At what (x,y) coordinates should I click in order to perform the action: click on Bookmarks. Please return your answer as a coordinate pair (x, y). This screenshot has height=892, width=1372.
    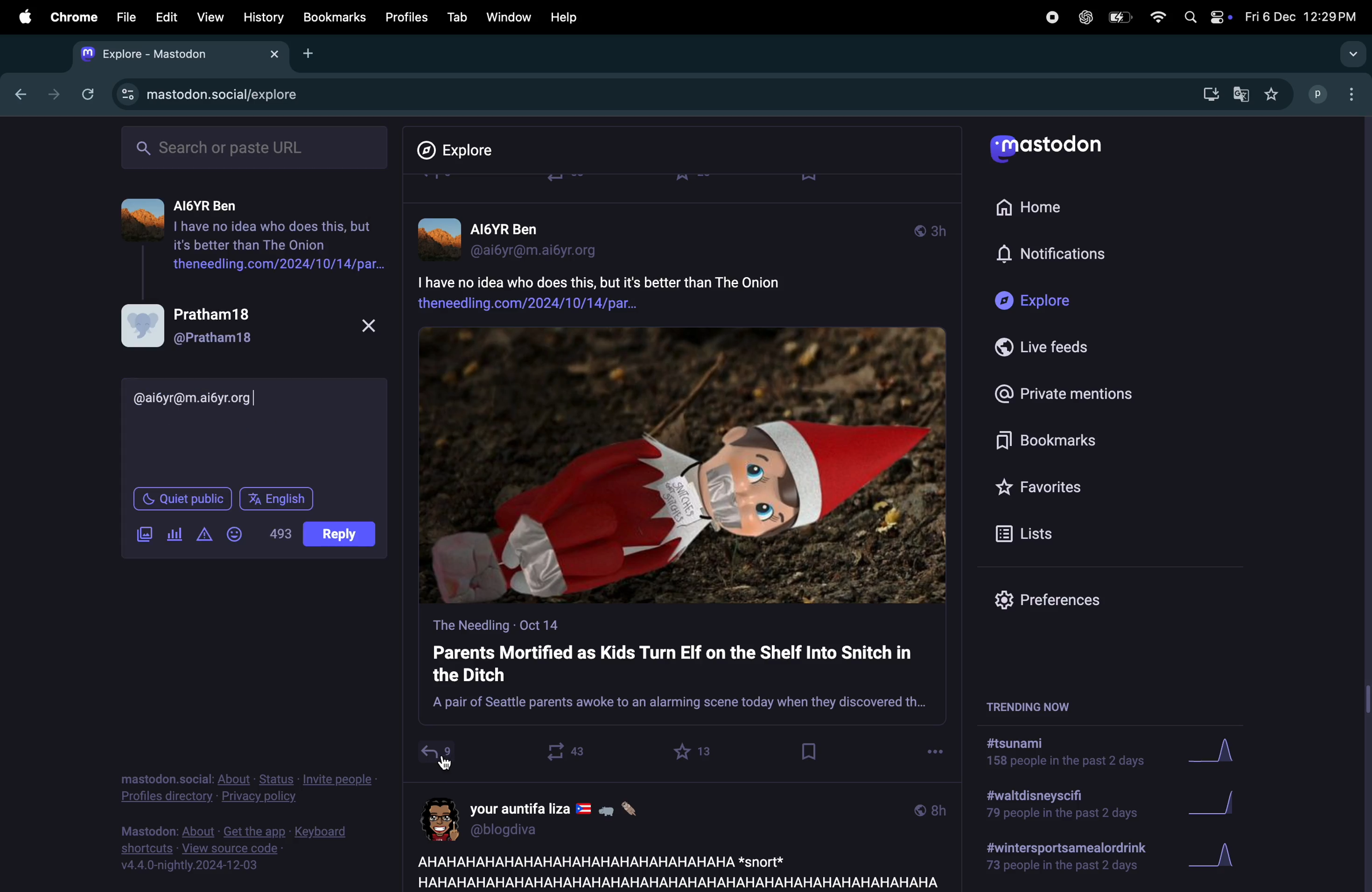
    Looking at the image, I should click on (1053, 443).